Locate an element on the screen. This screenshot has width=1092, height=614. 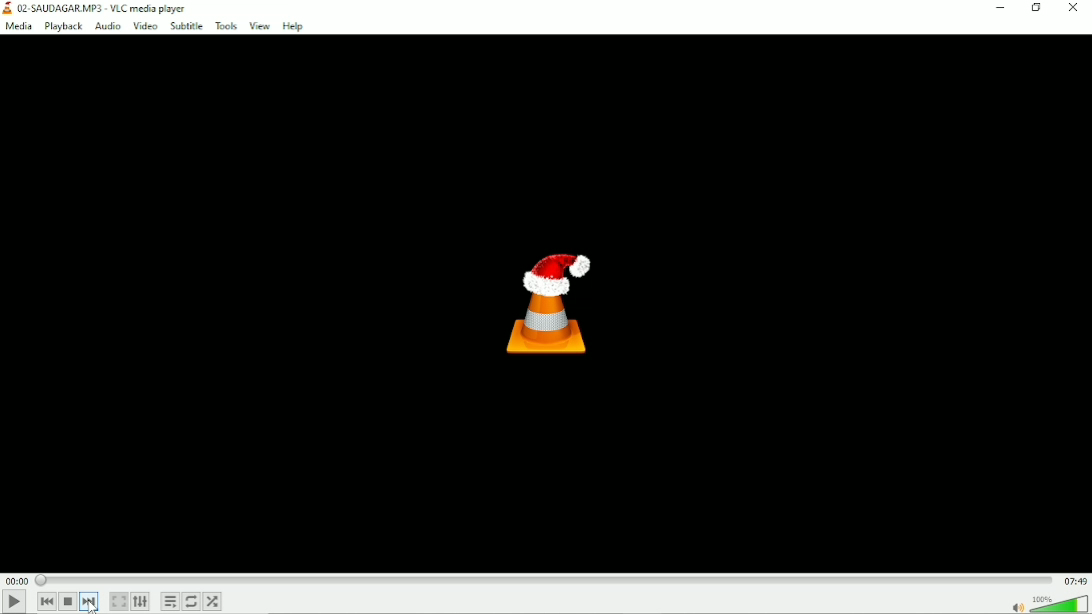
cursor is located at coordinates (89, 606).